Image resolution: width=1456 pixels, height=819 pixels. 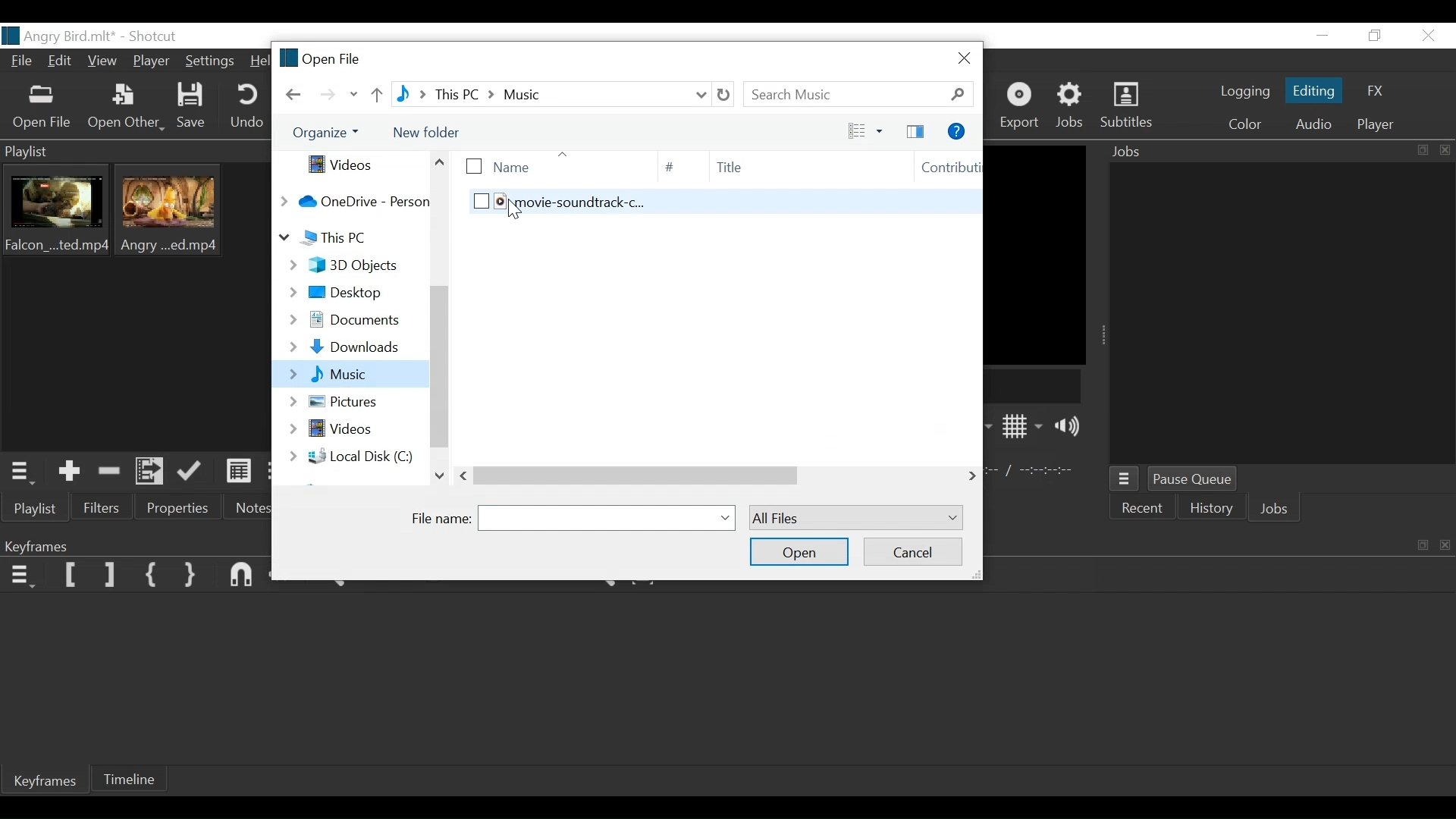 What do you see at coordinates (71, 575) in the screenshot?
I see `Ser Filter First` at bounding box center [71, 575].